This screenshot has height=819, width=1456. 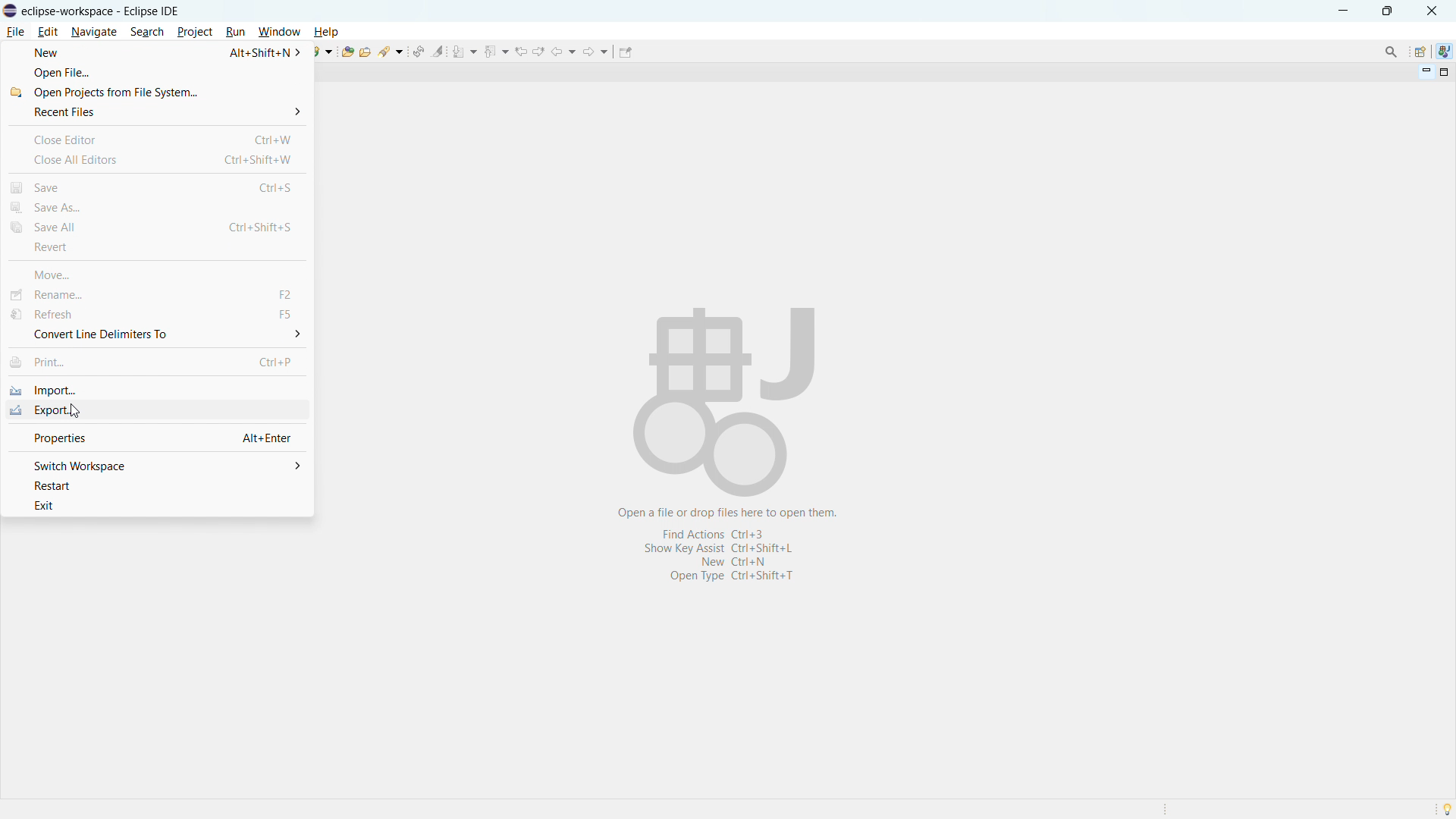 What do you see at coordinates (157, 485) in the screenshot?
I see `restart` at bounding box center [157, 485].